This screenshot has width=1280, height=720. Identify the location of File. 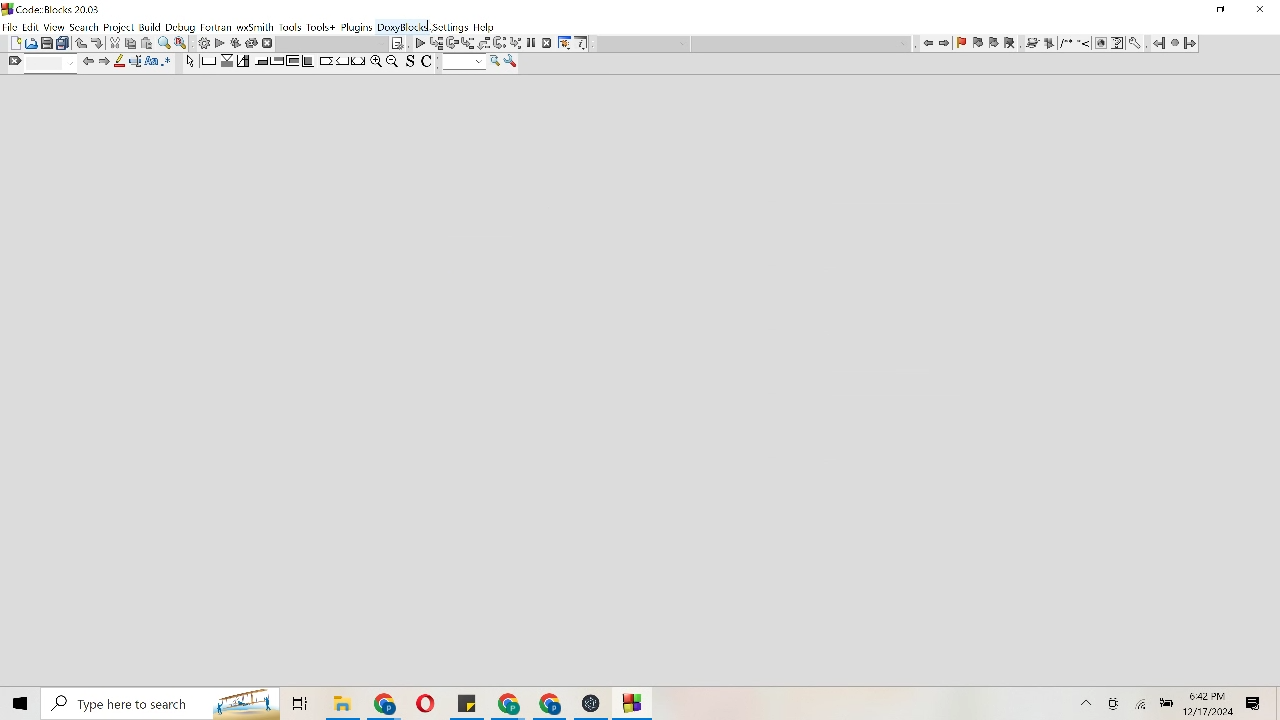
(424, 703).